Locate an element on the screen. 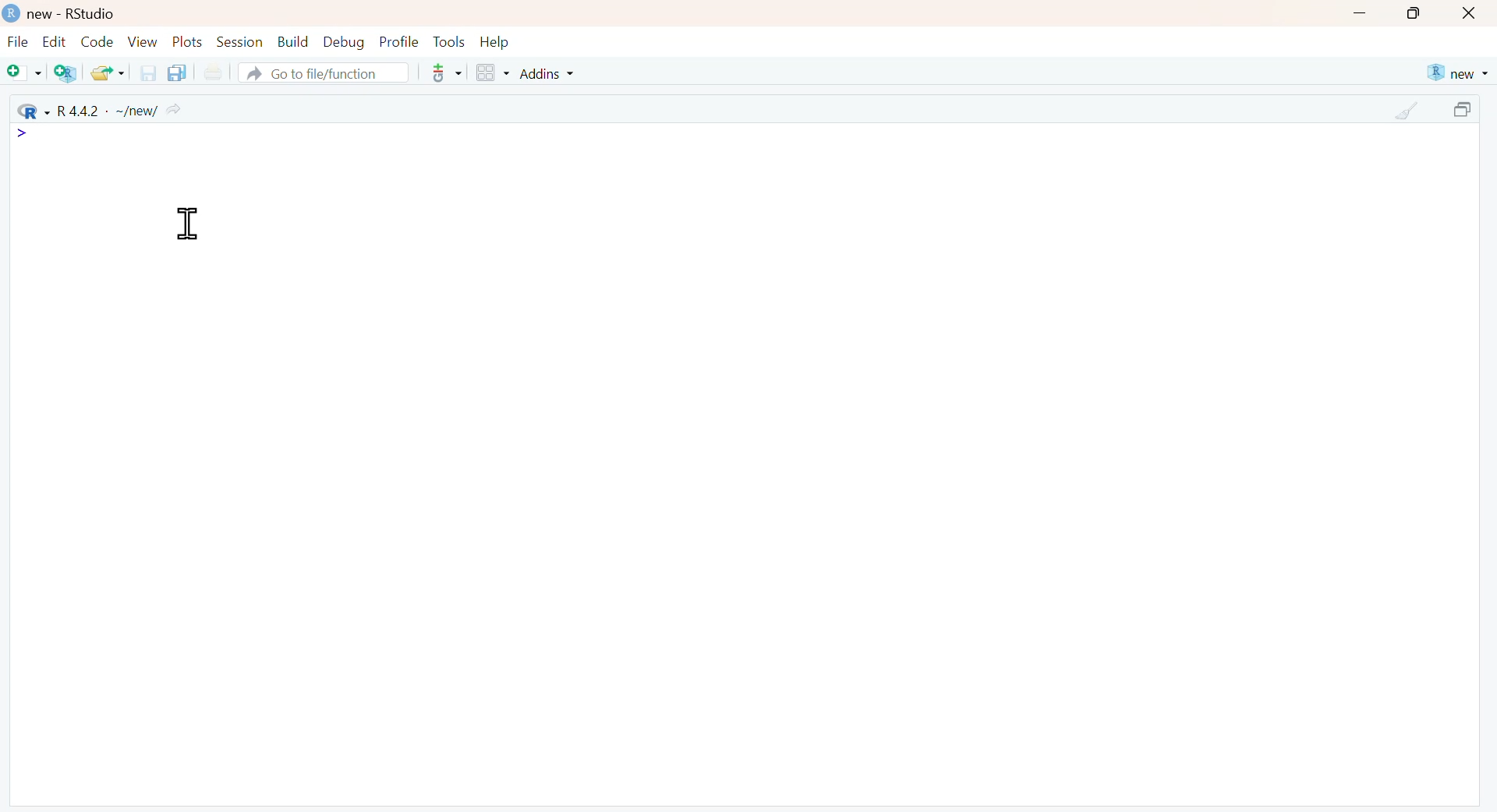 The width and height of the screenshot is (1497, 812). Profile is located at coordinates (401, 42).